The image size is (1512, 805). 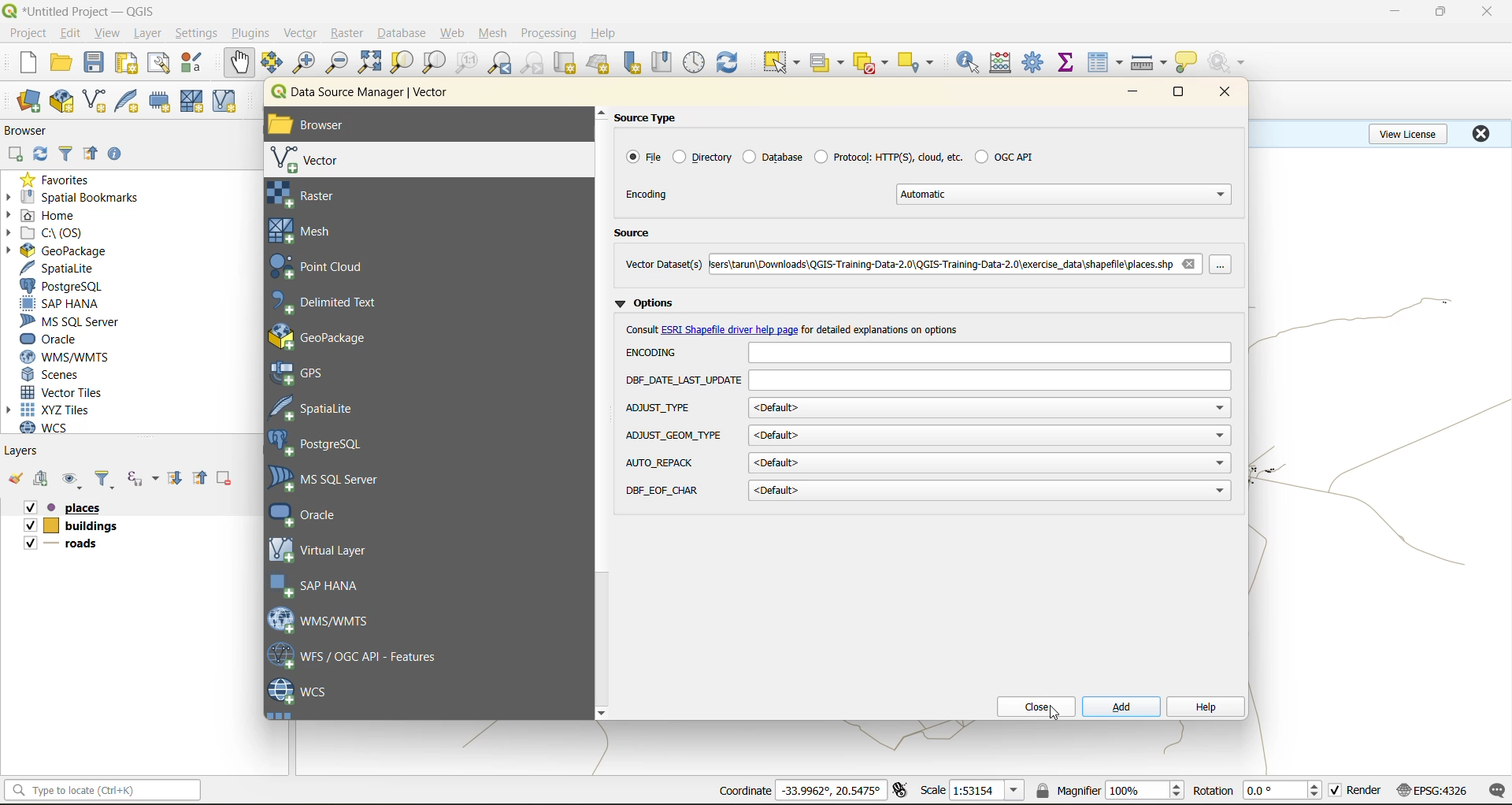 What do you see at coordinates (61, 287) in the screenshot?
I see `postgresql` at bounding box center [61, 287].